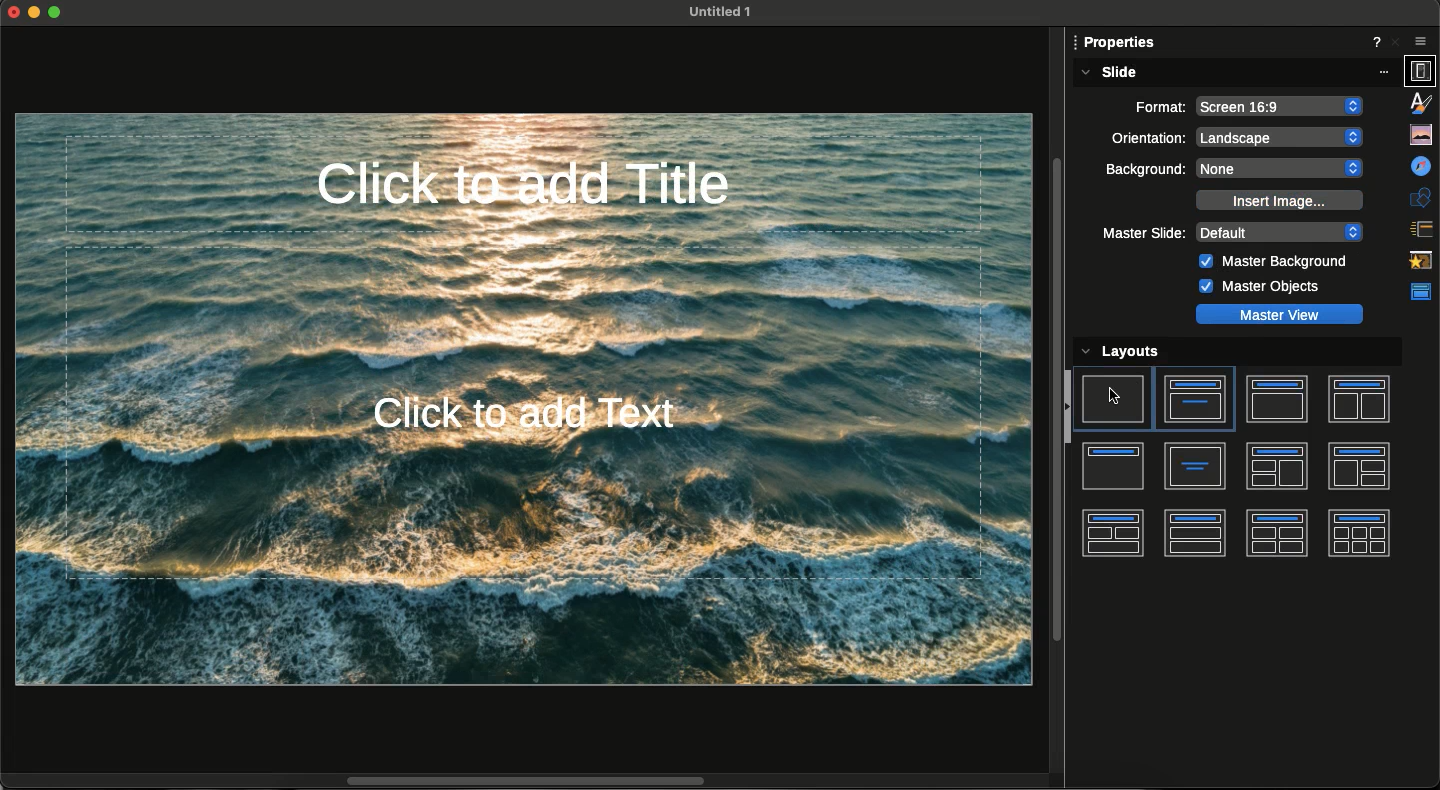 This screenshot has width=1440, height=790. What do you see at coordinates (1194, 399) in the screenshot?
I see `Title and text box` at bounding box center [1194, 399].